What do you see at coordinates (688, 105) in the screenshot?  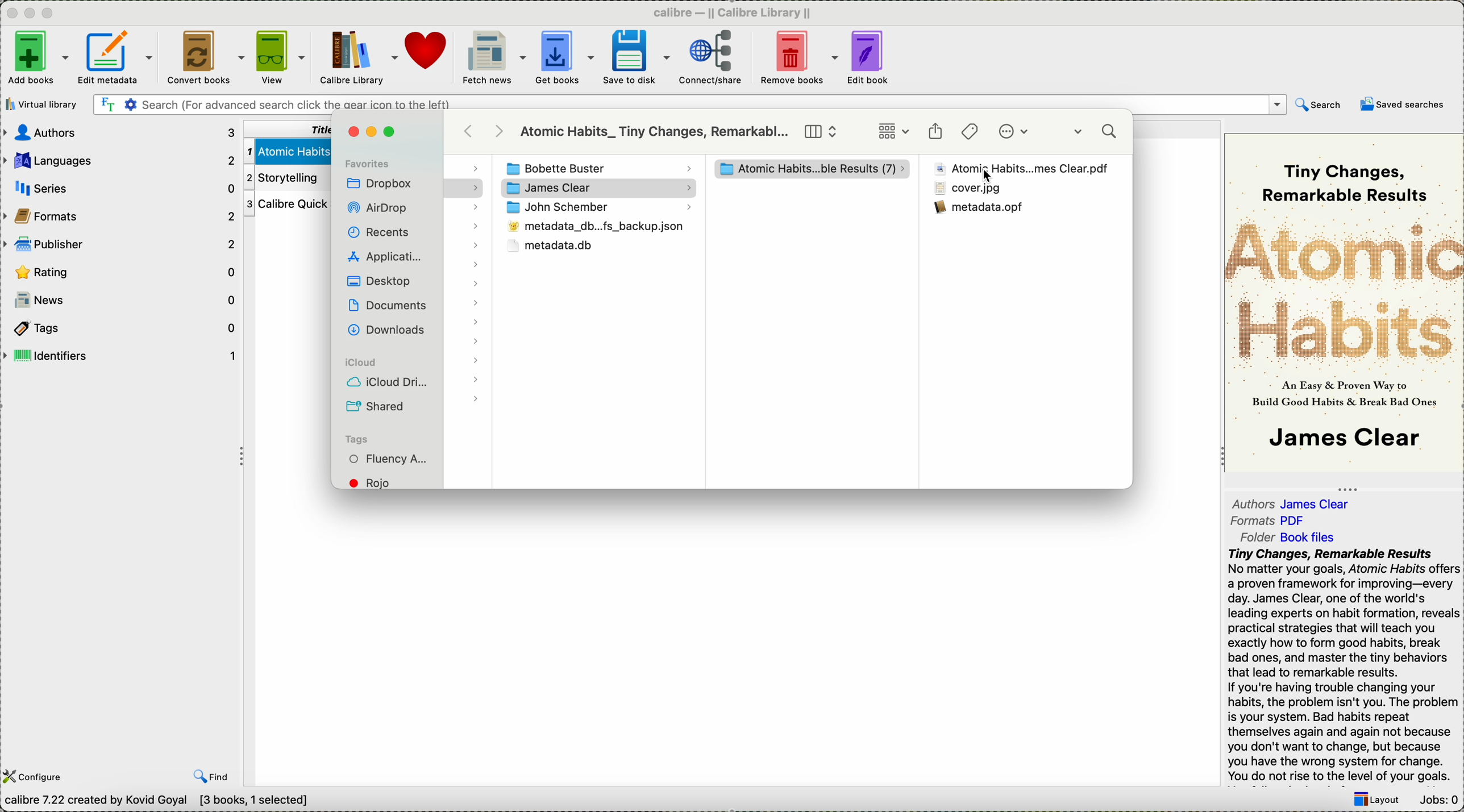 I see `search bar` at bounding box center [688, 105].